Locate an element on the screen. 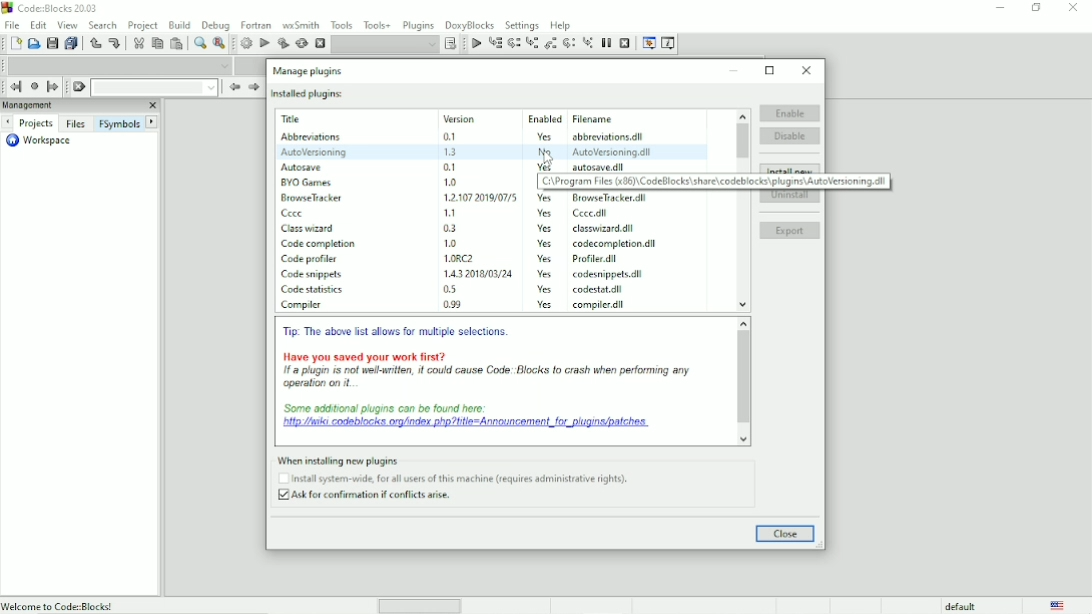 This screenshot has height=614, width=1092. Step into instruction is located at coordinates (587, 43).